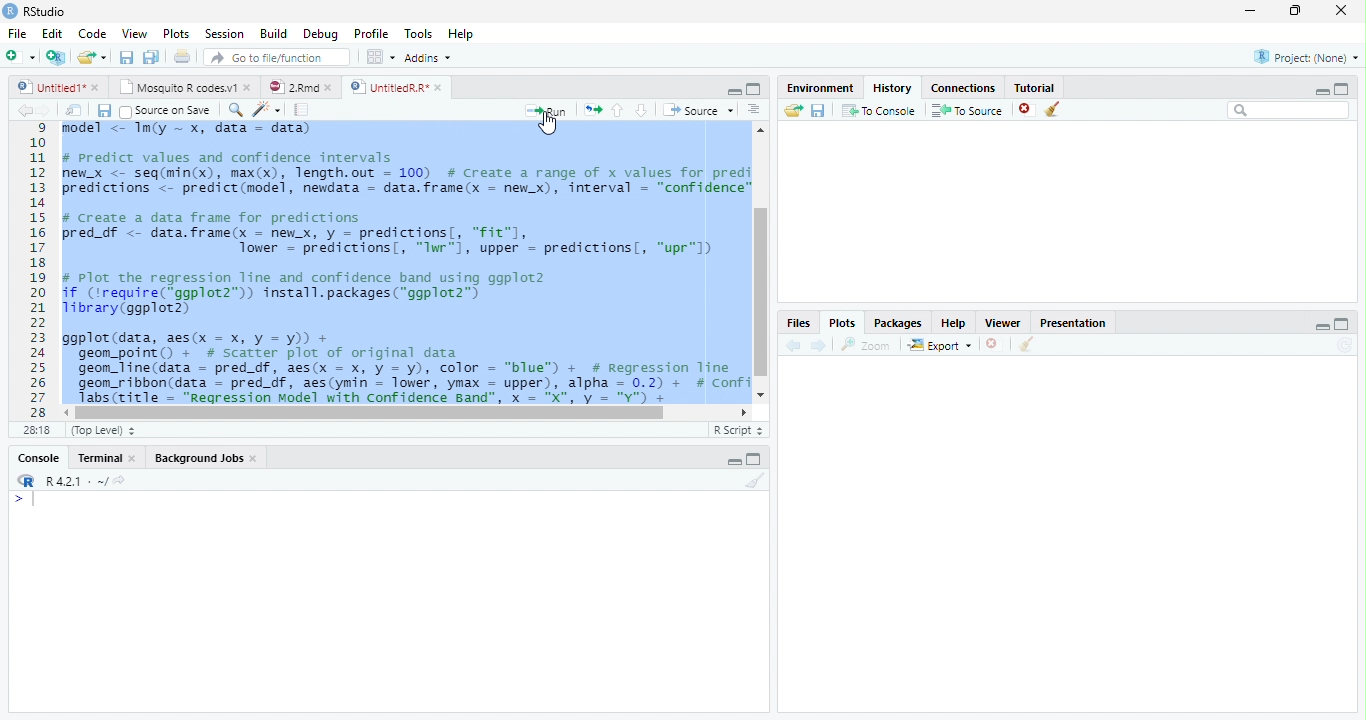  Describe the element at coordinates (1294, 10) in the screenshot. I see `Maximize` at that location.